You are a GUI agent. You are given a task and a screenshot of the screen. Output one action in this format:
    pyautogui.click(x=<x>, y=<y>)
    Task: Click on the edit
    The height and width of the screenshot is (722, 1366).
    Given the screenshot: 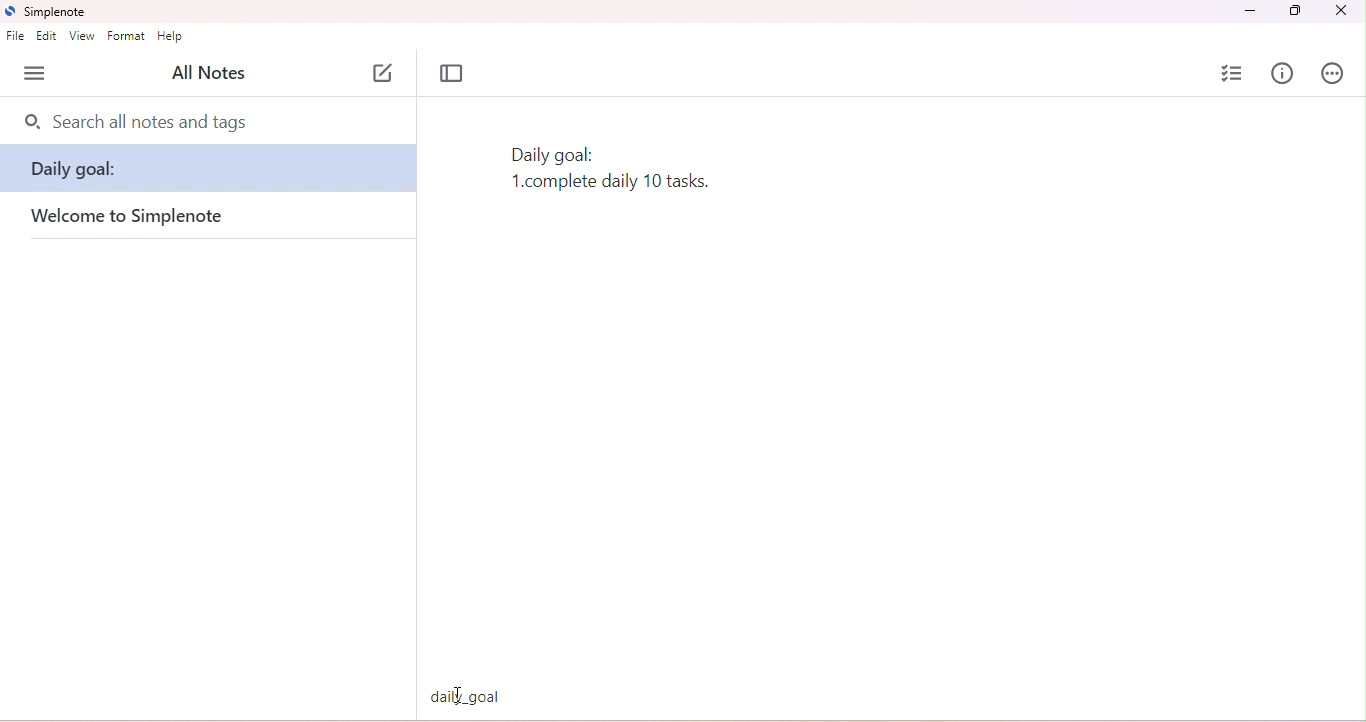 What is the action you would take?
    pyautogui.click(x=47, y=36)
    